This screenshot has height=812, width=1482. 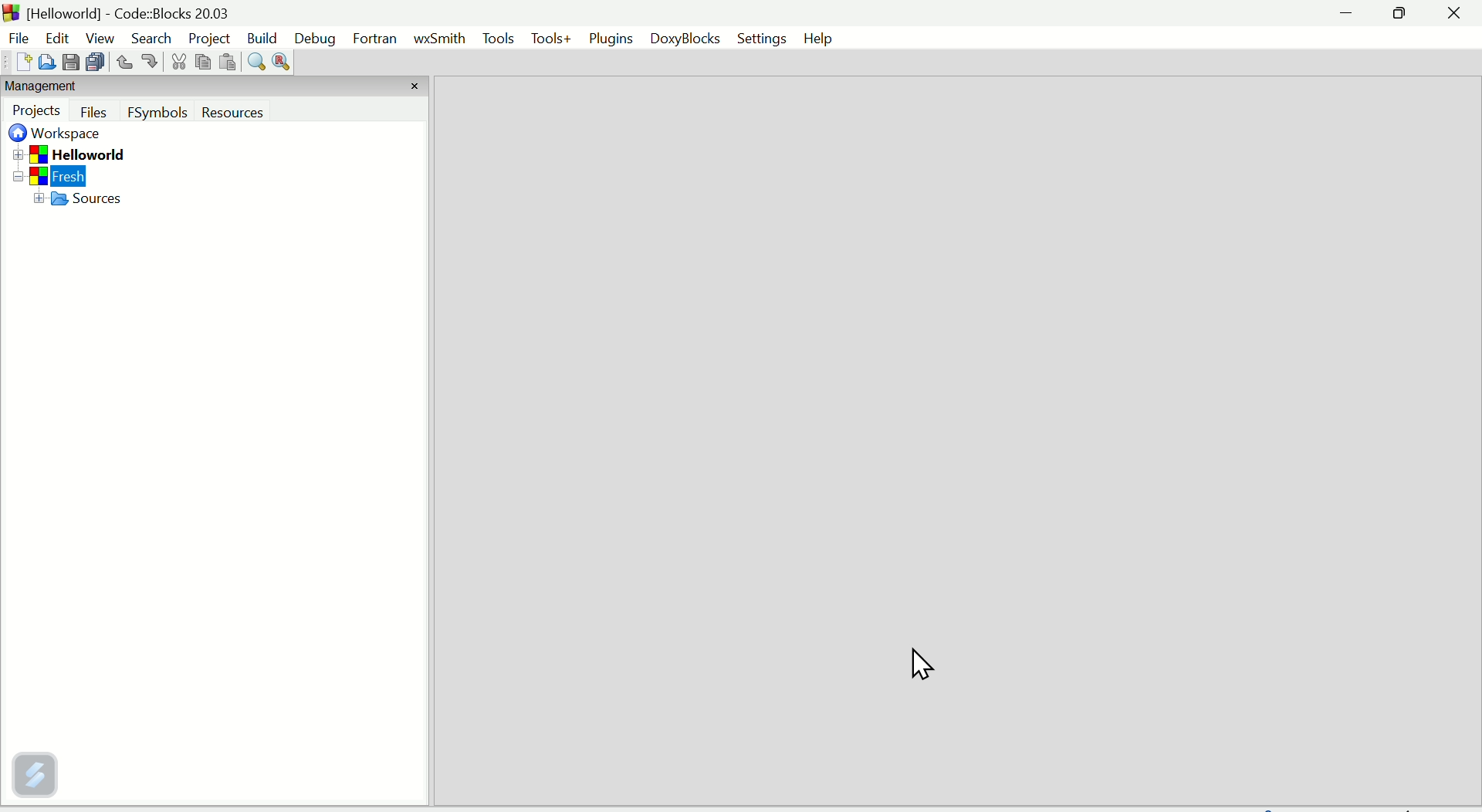 What do you see at coordinates (255, 64) in the screenshot?
I see `Find` at bounding box center [255, 64].